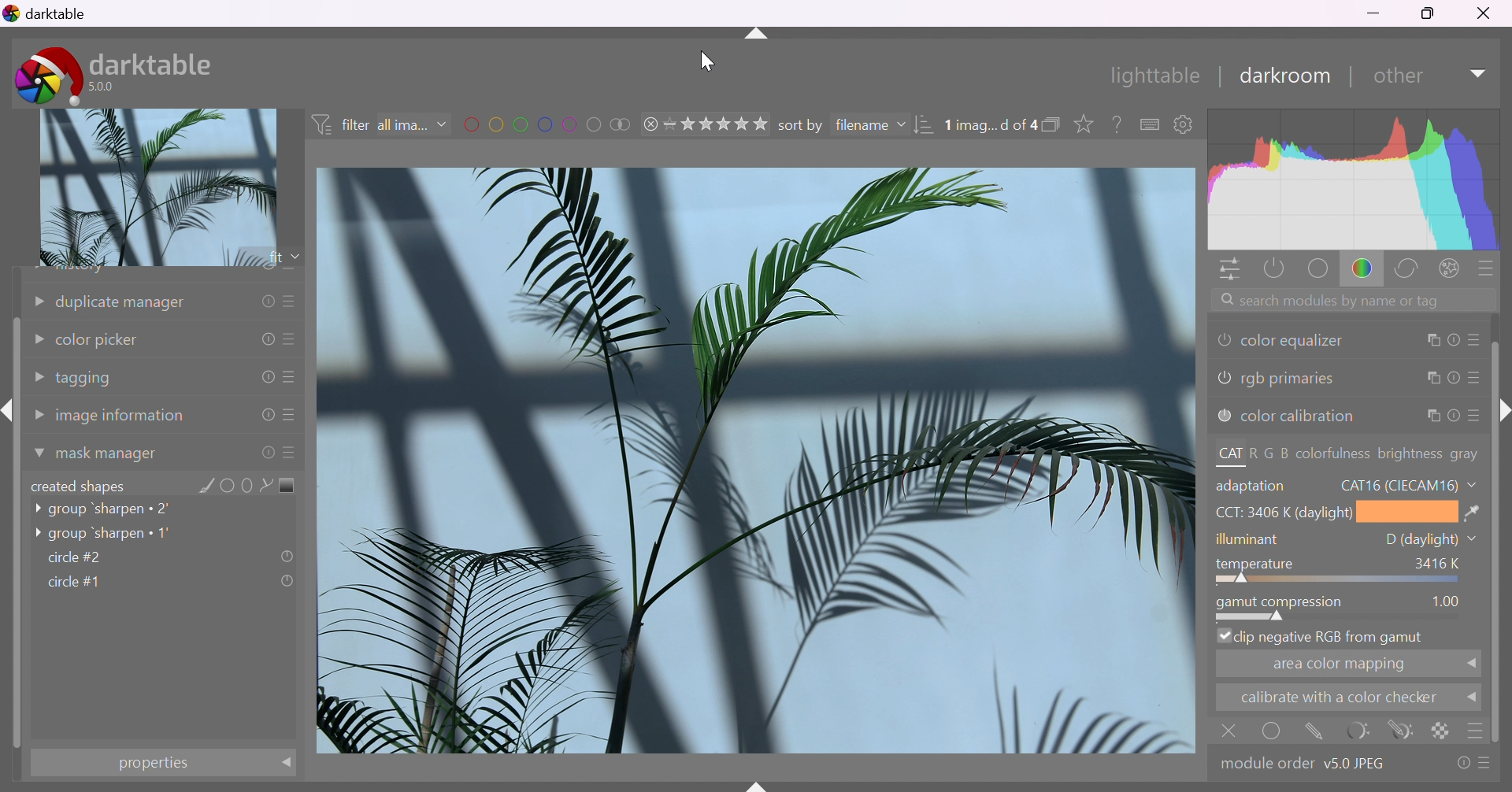  Describe the element at coordinates (1376, 13) in the screenshot. I see `minimize` at that location.